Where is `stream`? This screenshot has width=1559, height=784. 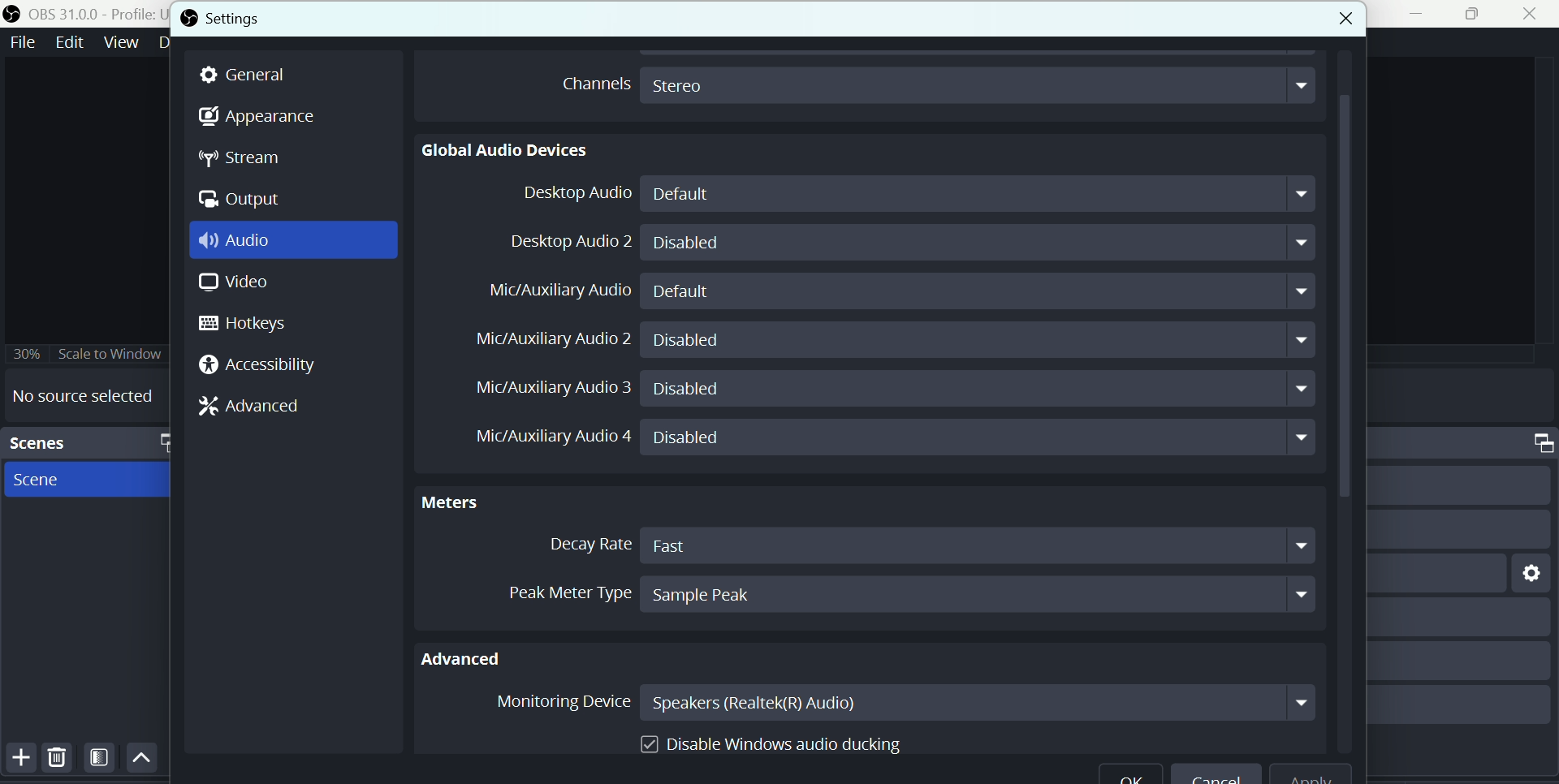
stream is located at coordinates (247, 160).